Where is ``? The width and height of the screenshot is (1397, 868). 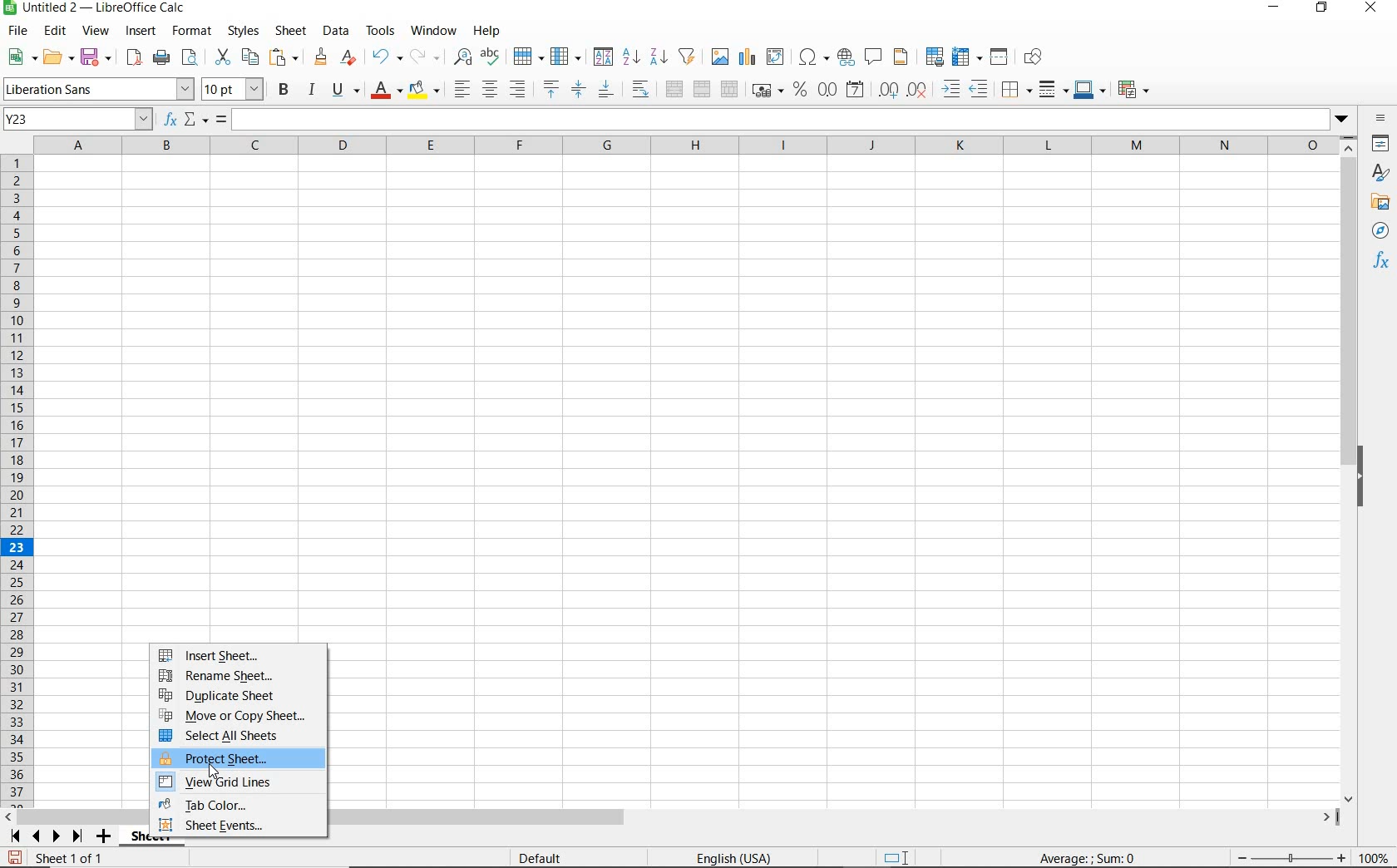
 is located at coordinates (491, 58).